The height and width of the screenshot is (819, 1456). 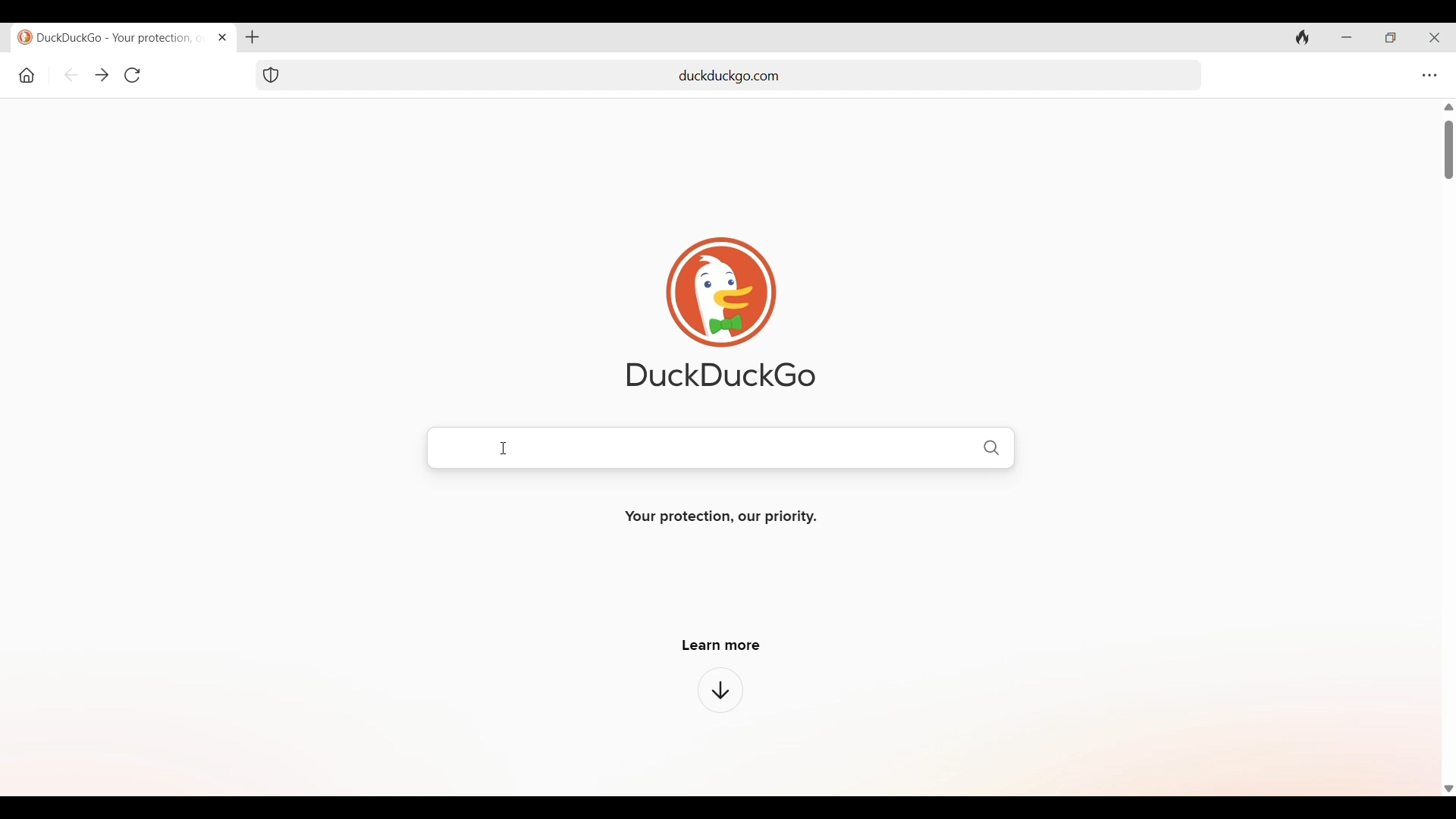 I want to click on duckduckgo - your protection, our priority., so click(x=101, y=38).